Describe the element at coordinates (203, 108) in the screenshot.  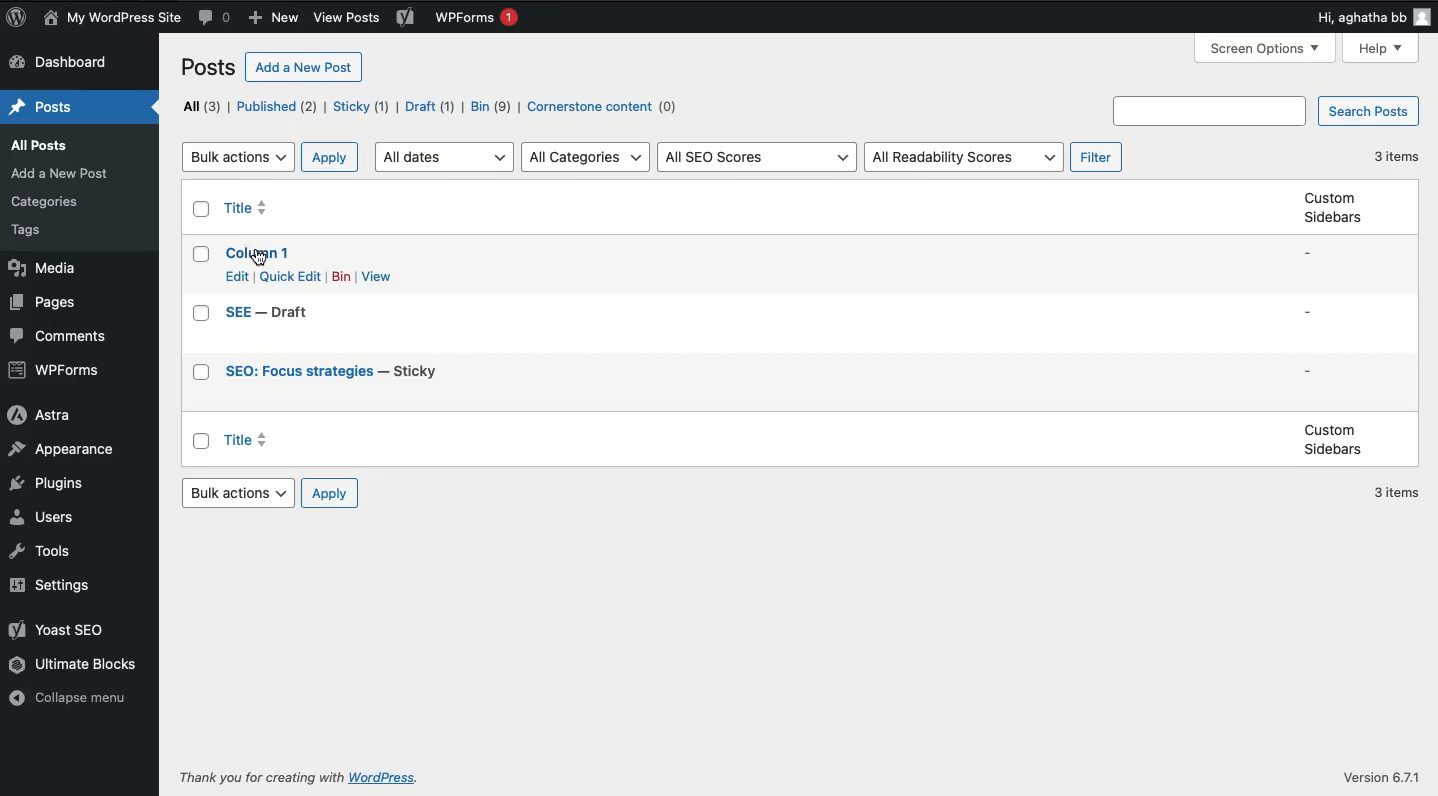
I see `All` at that location.